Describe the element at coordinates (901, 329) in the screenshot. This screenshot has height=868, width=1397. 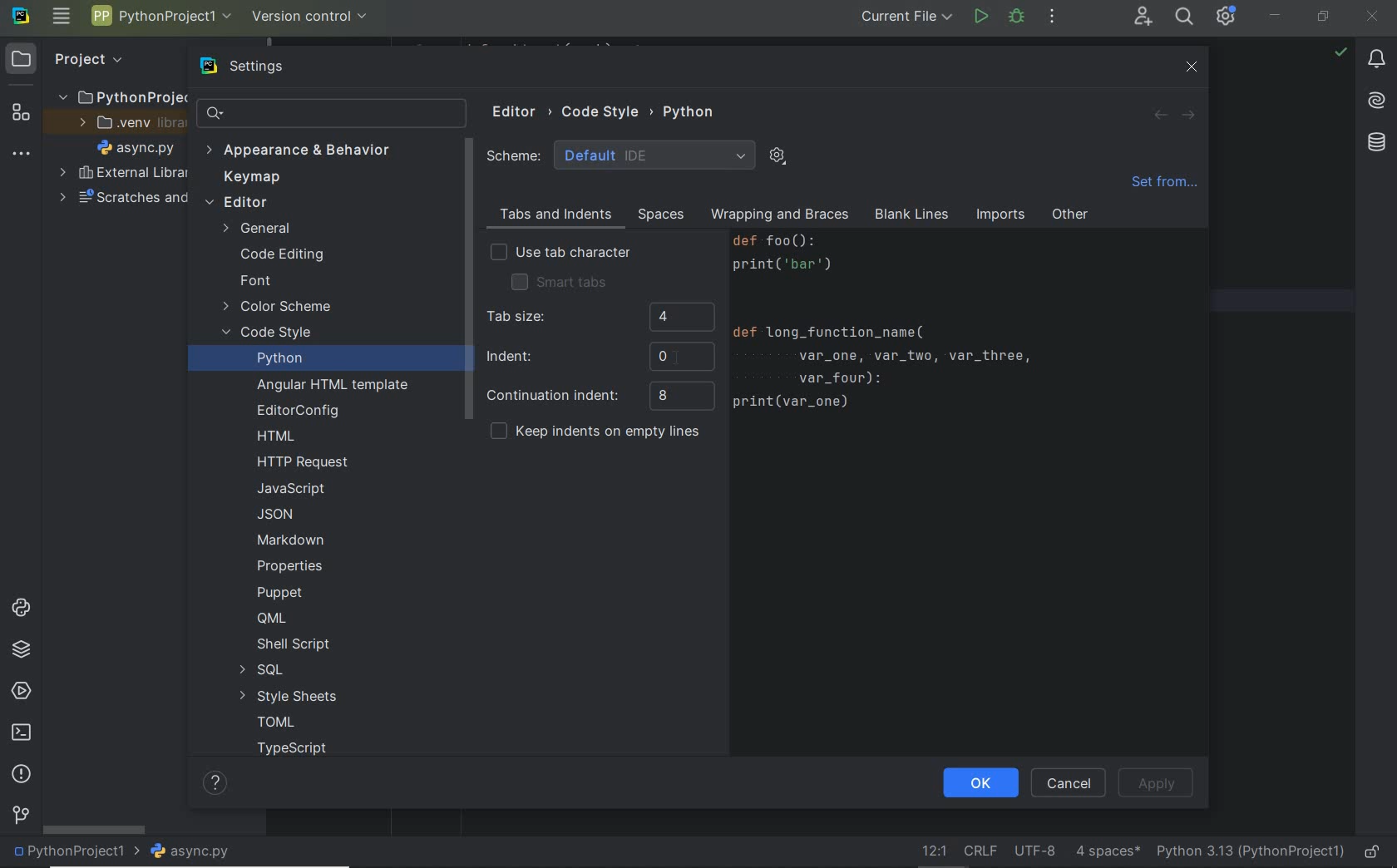
I see `Code to Print var_one` at that location.